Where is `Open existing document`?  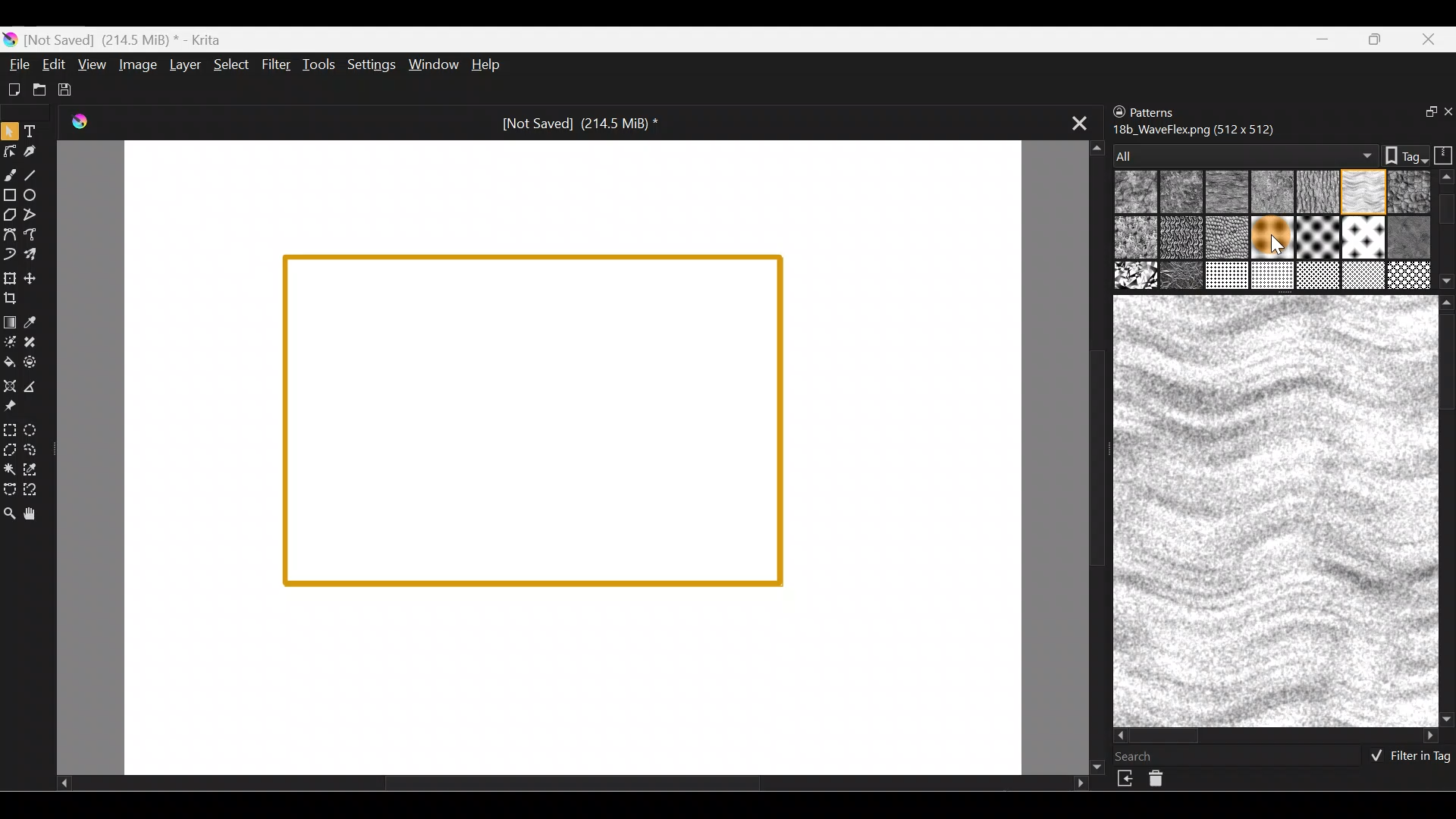 Open existing document is located at coordinates (37, 87).